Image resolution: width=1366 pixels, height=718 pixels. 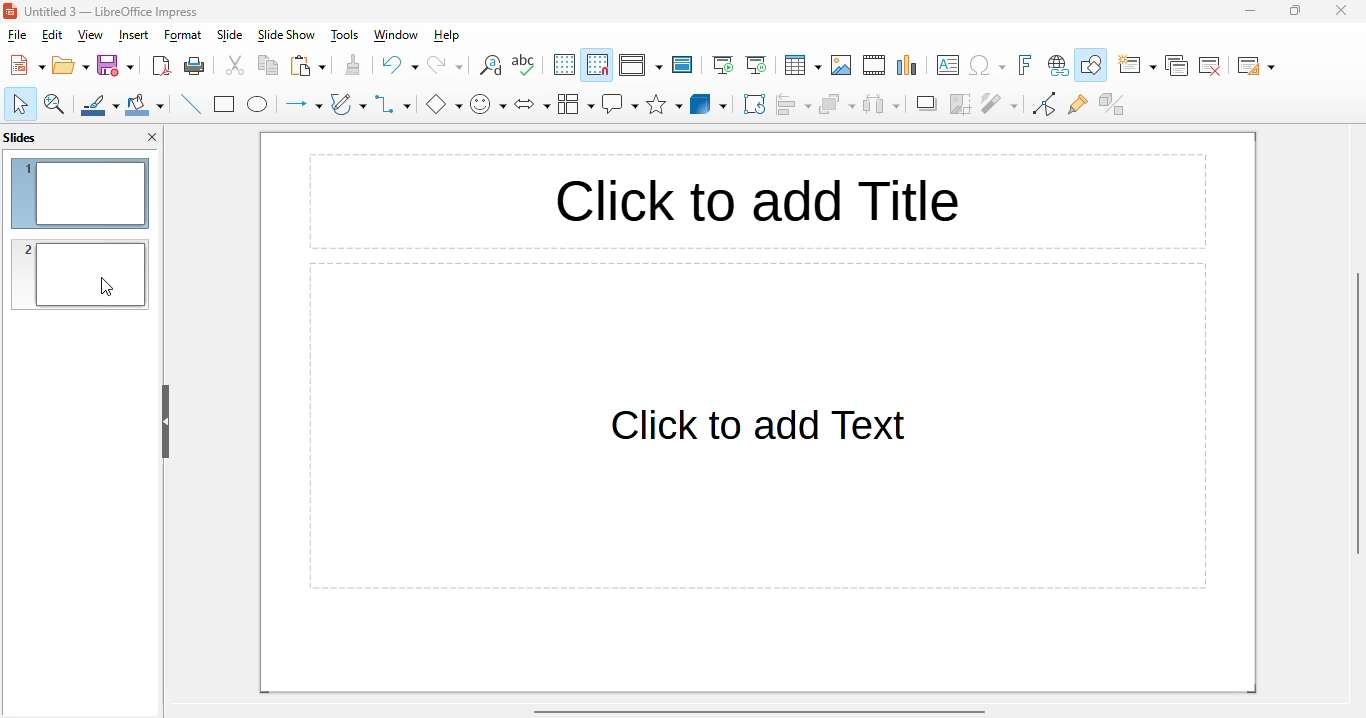 I want to click on crop image, so click(x=960, y=104).